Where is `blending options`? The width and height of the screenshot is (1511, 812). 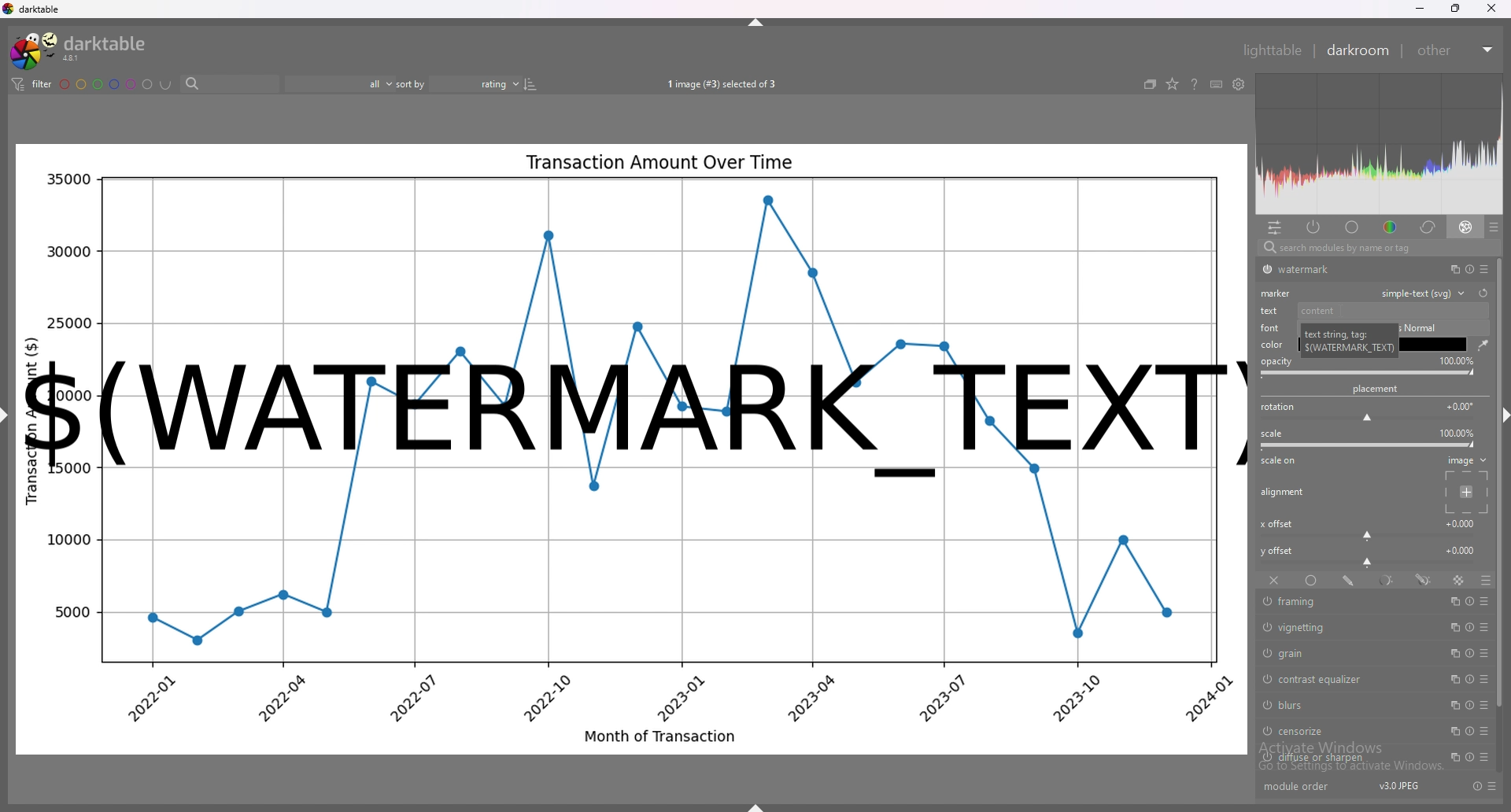 blending options is located at coordinates (1484, 580).